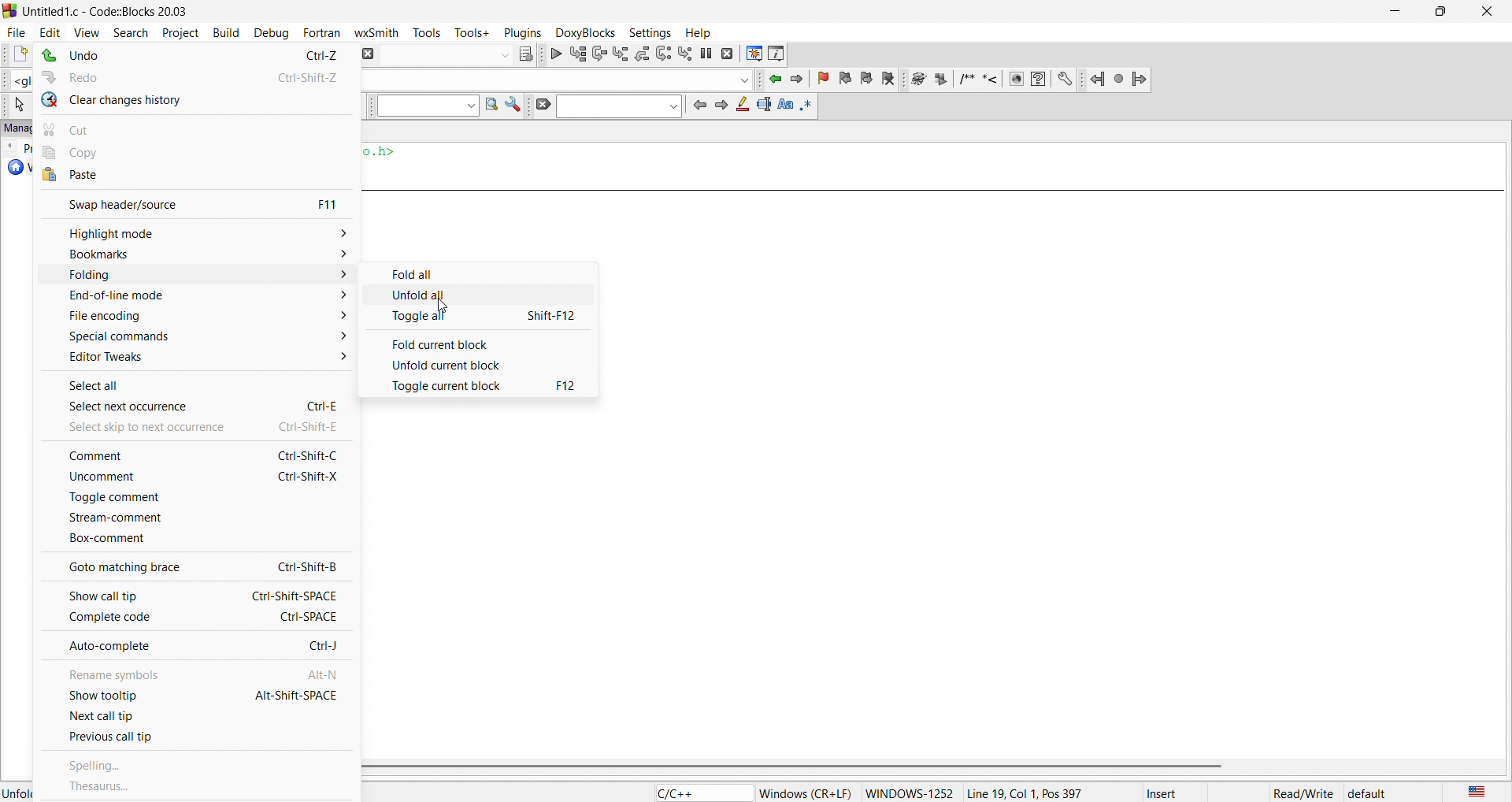  Describe the element at coordinates (647, 32) in the screenshot. I see `setting` at that location.